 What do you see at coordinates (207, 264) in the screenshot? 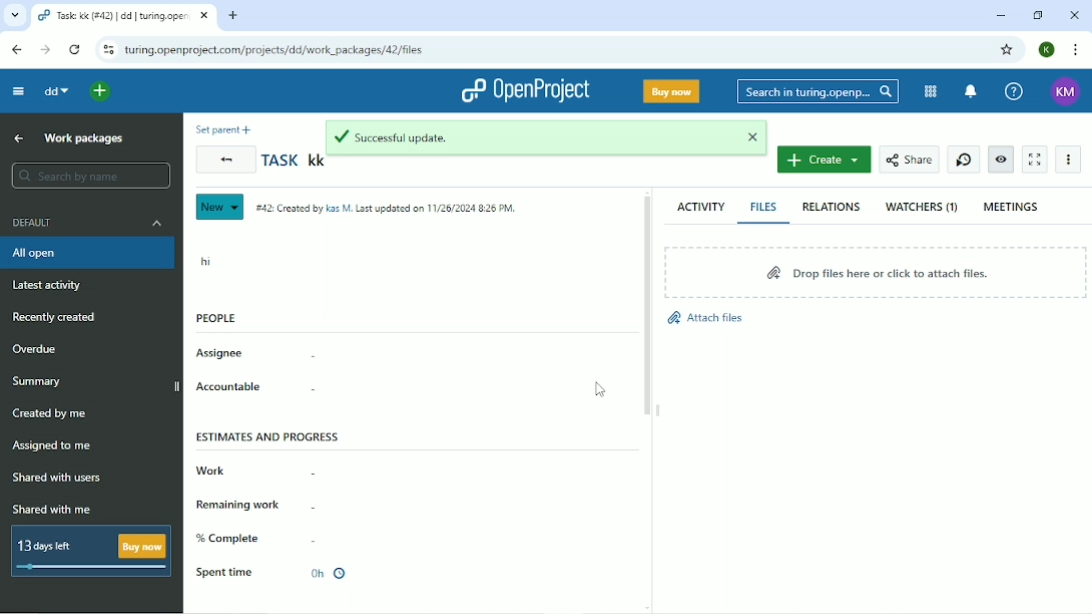
I see `hi` at bounding box center [207, 264].